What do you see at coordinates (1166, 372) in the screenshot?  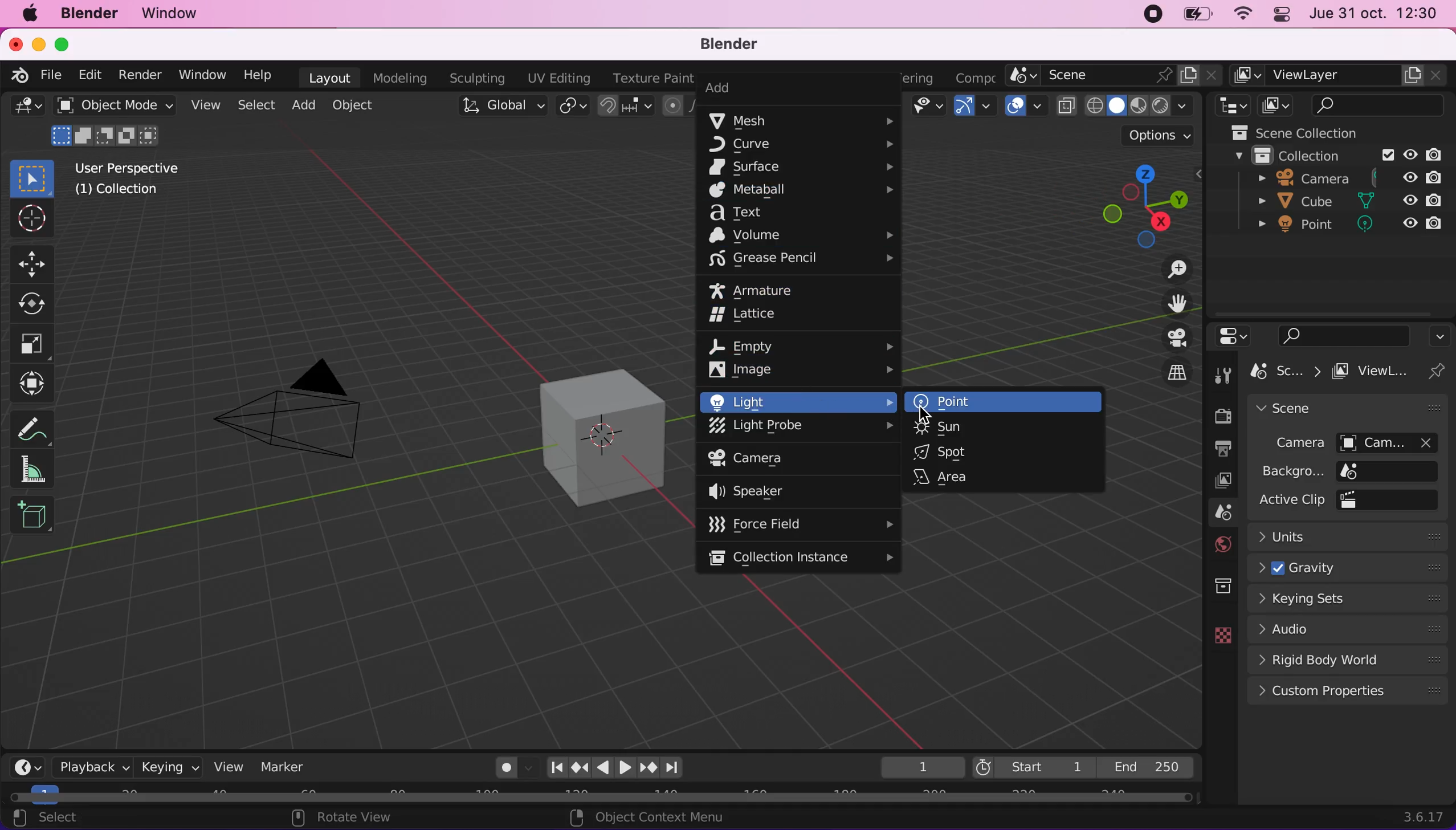 I see `toggle the current view` at bounding box center [1166, 372].